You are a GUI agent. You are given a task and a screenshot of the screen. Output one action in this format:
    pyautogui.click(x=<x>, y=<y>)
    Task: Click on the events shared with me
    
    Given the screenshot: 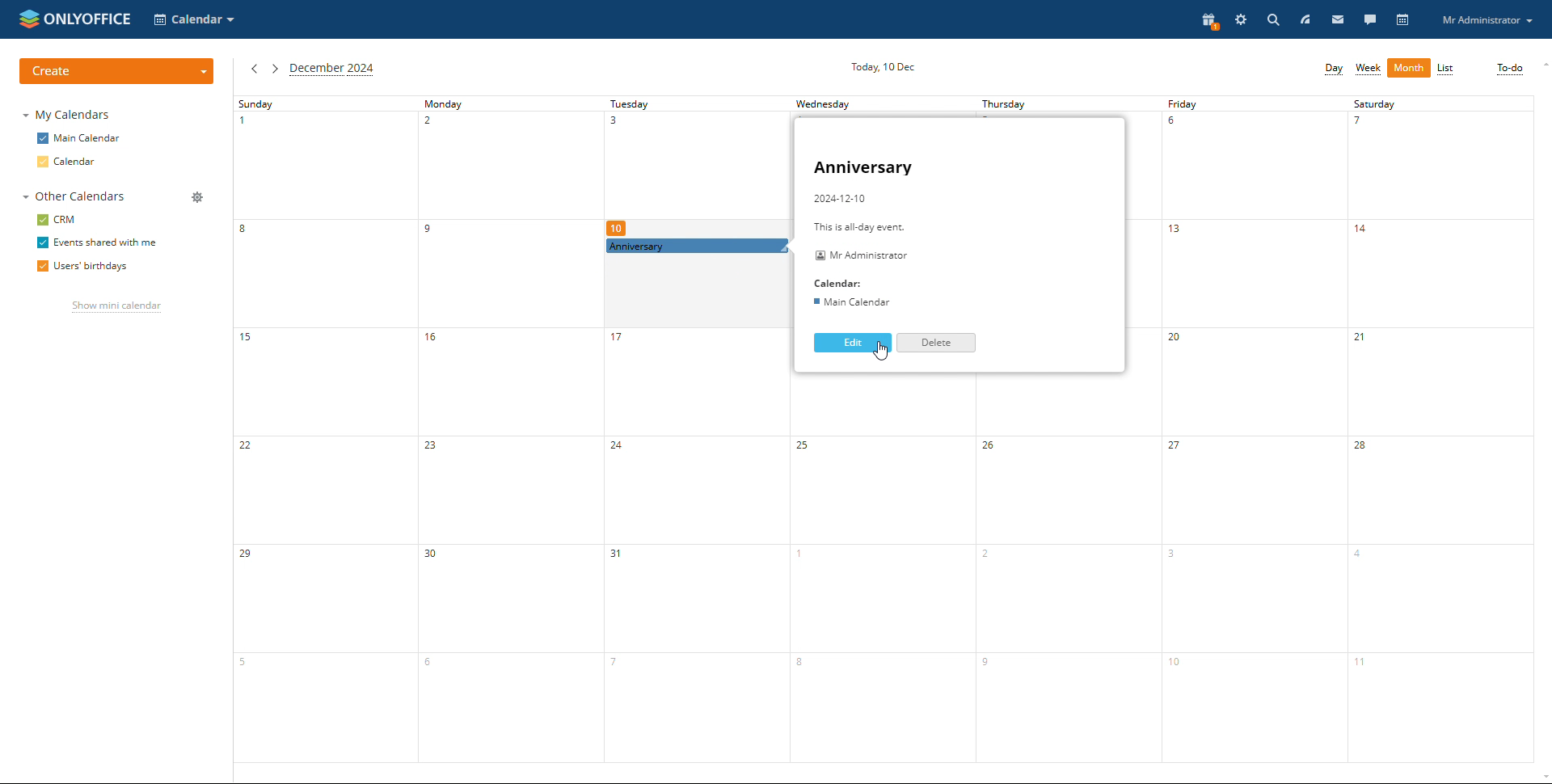 What is the action you would take?
    pyautogui.click(x=95, y=243)
    